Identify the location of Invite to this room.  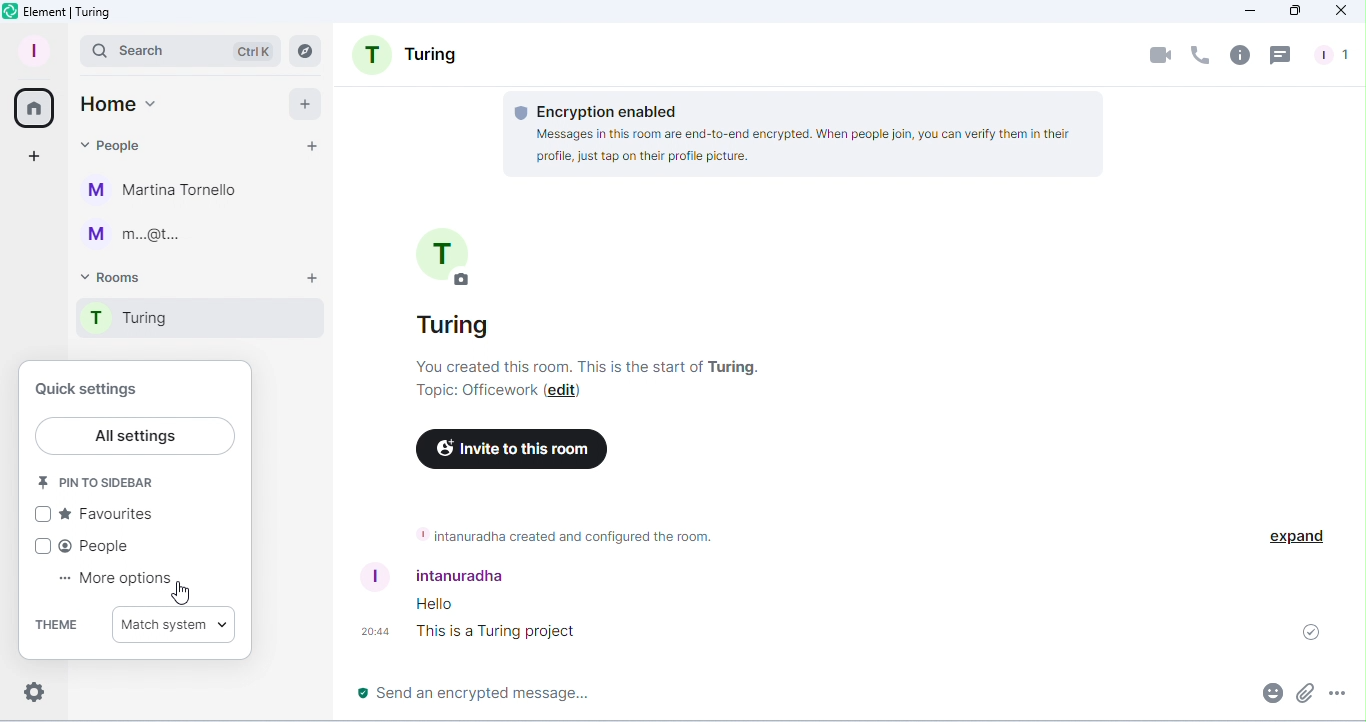
(499, 446).